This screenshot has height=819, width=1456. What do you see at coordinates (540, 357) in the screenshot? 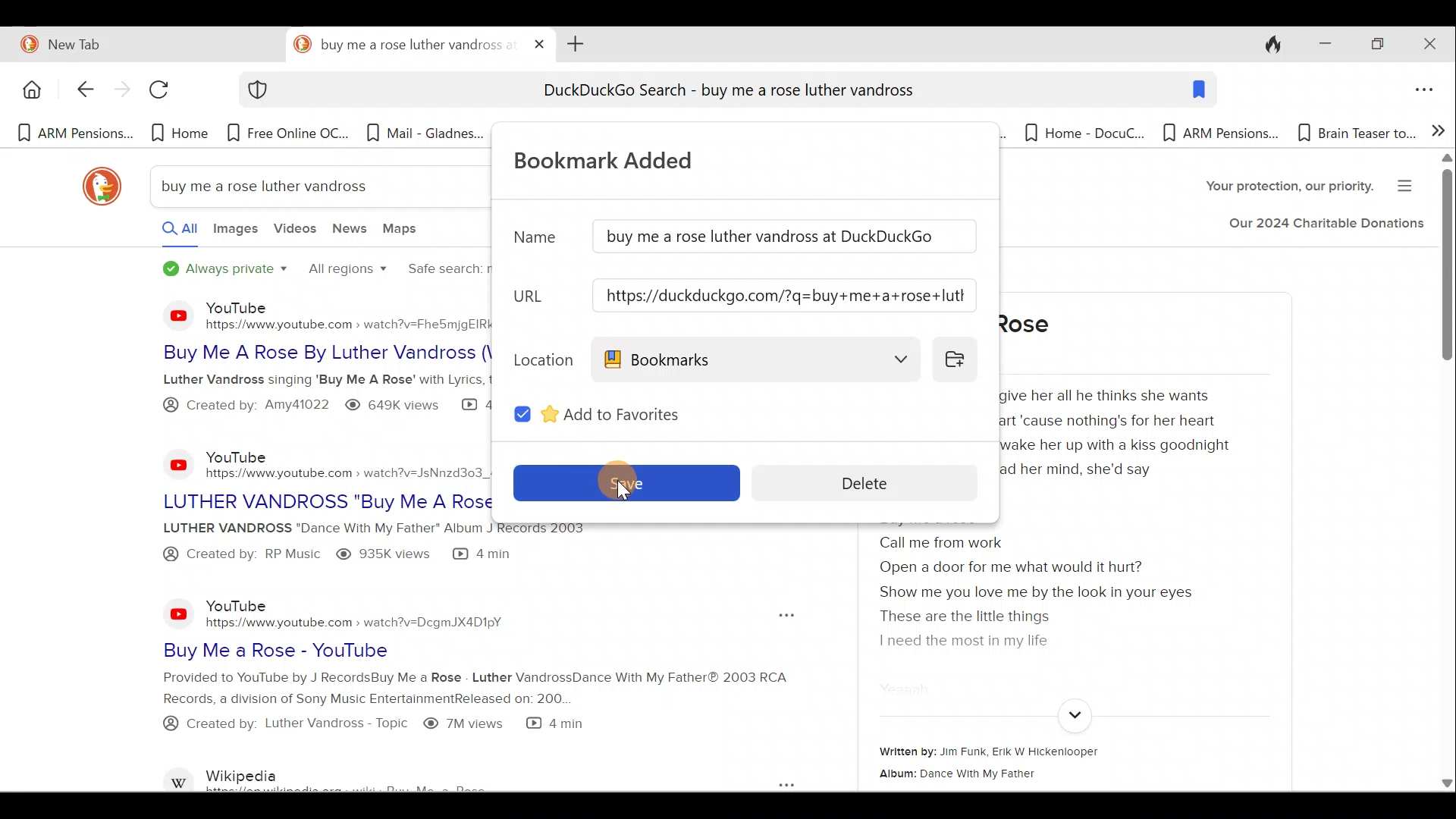
I see `Location` at bounding box center [540, 357].